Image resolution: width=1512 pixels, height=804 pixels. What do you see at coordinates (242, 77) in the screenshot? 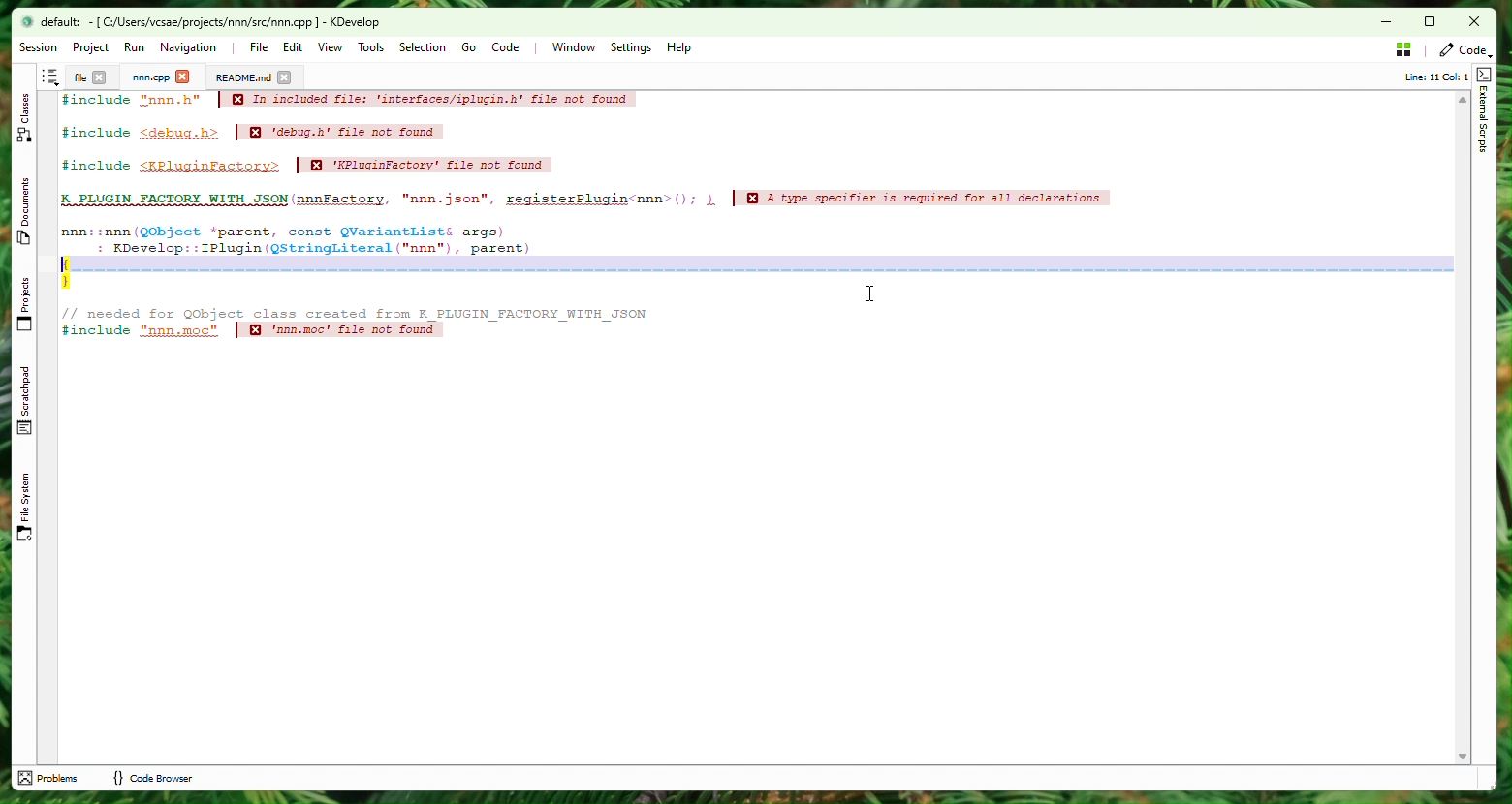
I see `Documents` at bounding box center [242, 77].